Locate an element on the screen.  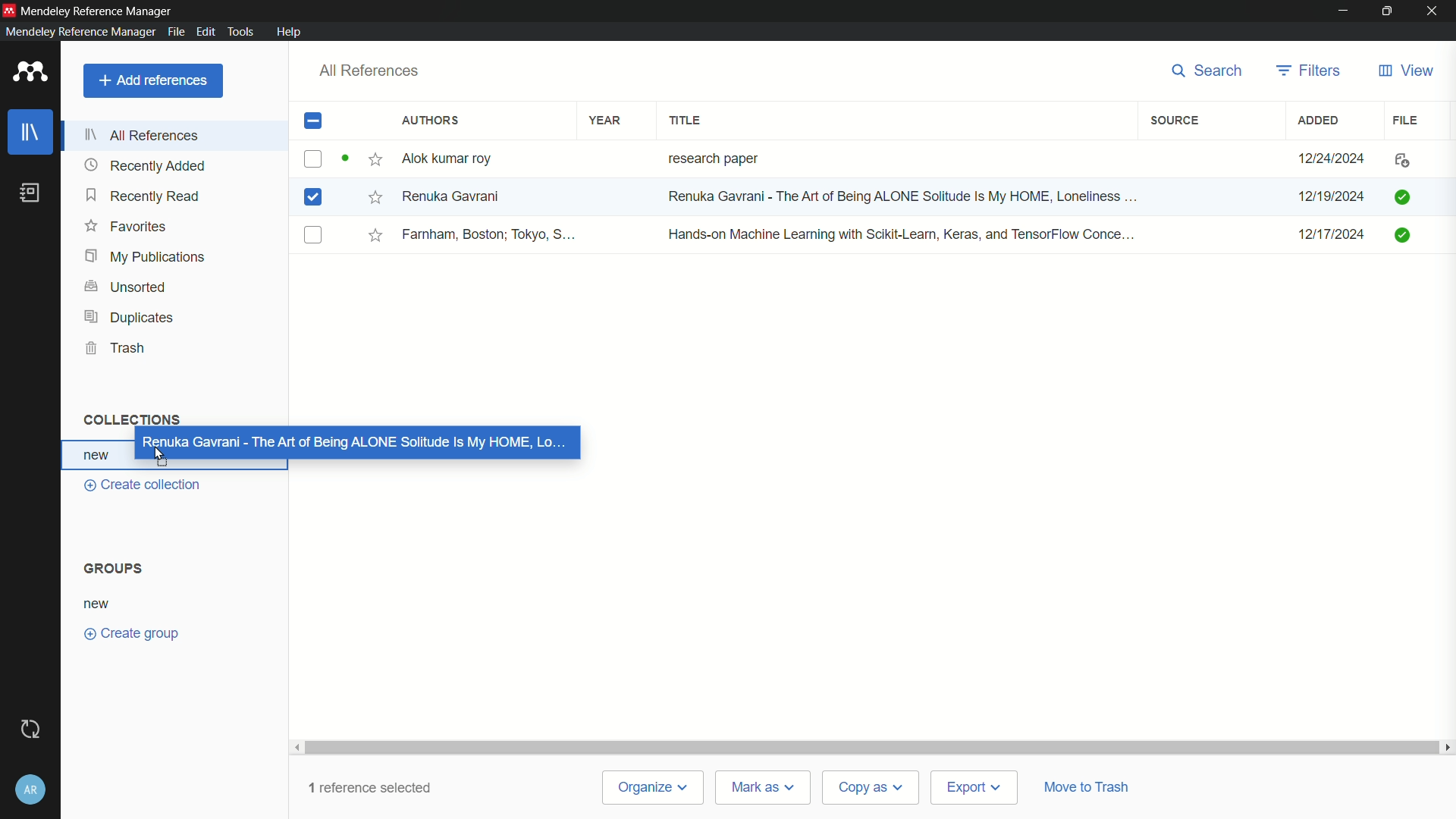
duplicates is located at coordinates (128, 317).